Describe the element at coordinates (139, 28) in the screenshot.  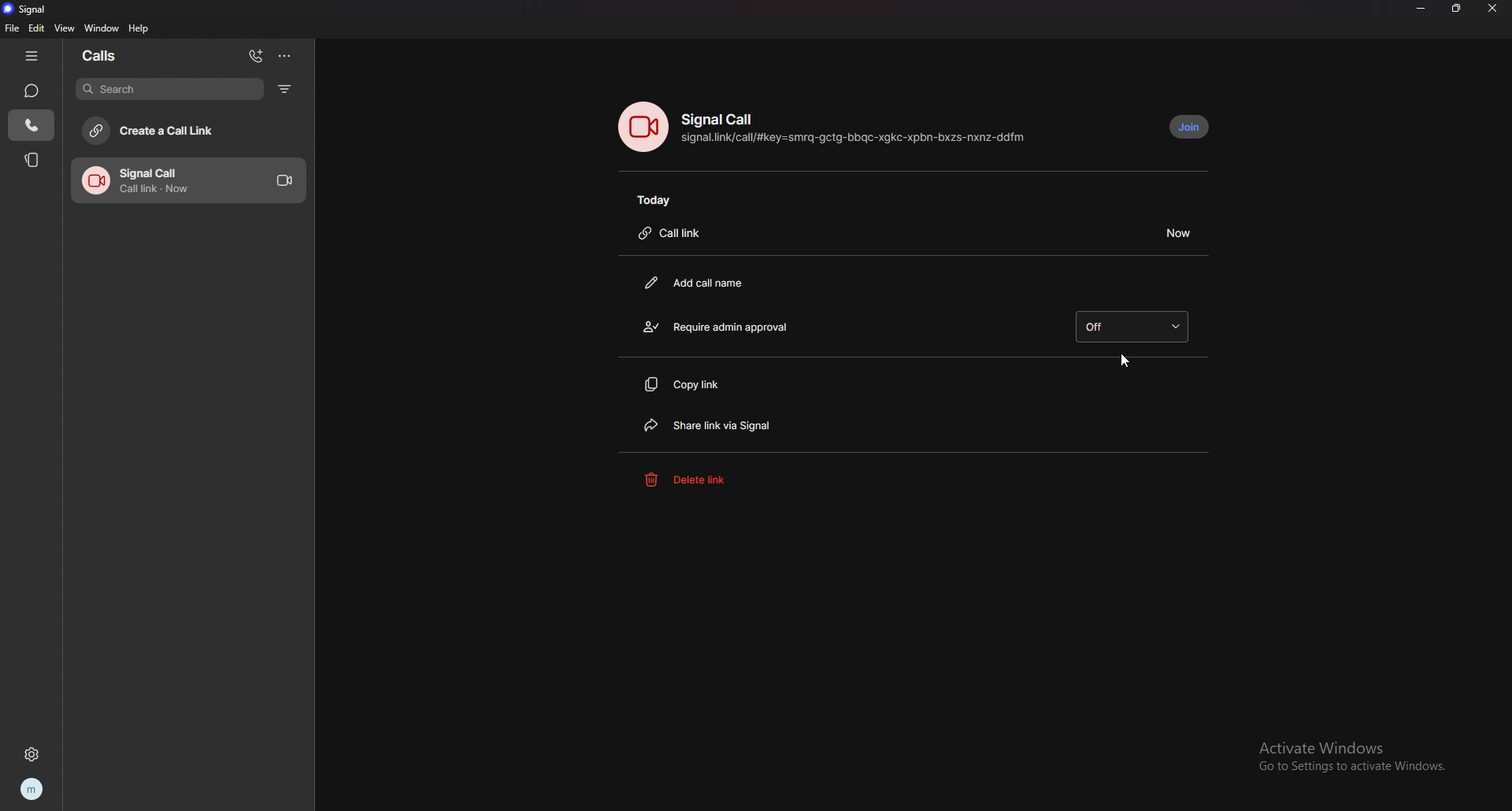
I see `help` at that location.